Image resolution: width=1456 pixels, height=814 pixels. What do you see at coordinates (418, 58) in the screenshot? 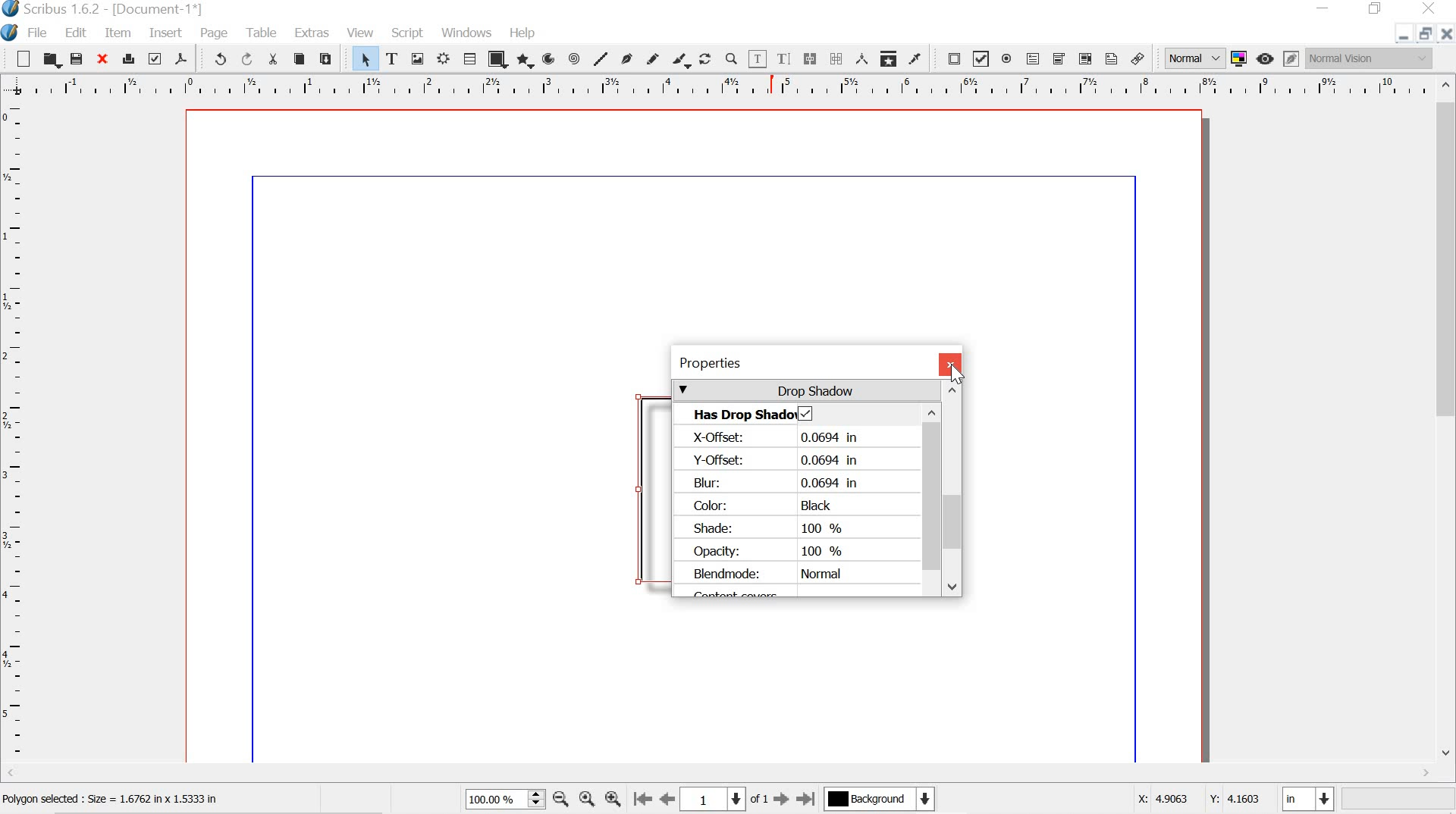
I see `image frame` at bounding box center [418, 58].